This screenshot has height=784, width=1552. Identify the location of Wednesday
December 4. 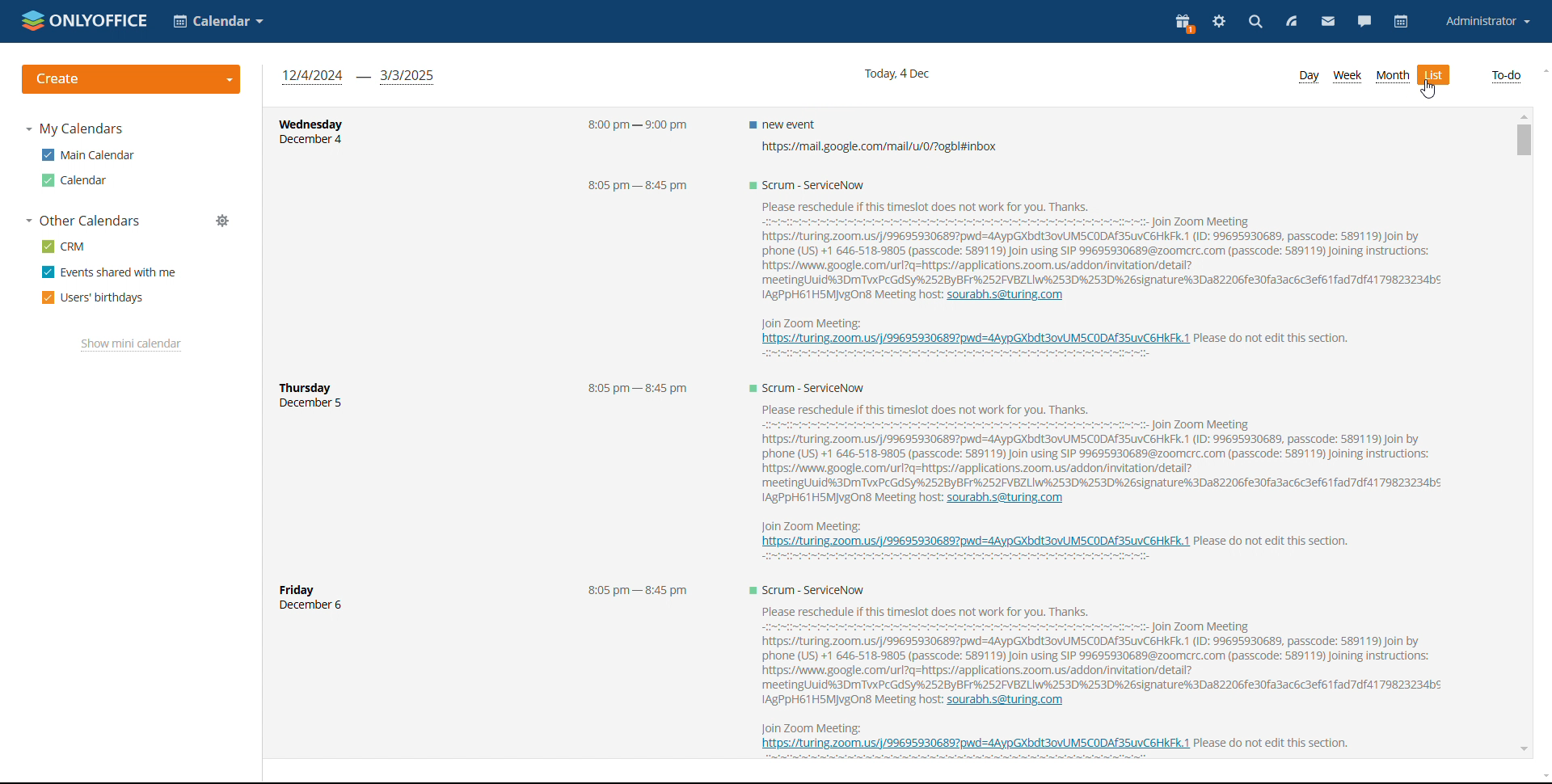
(311, 135).